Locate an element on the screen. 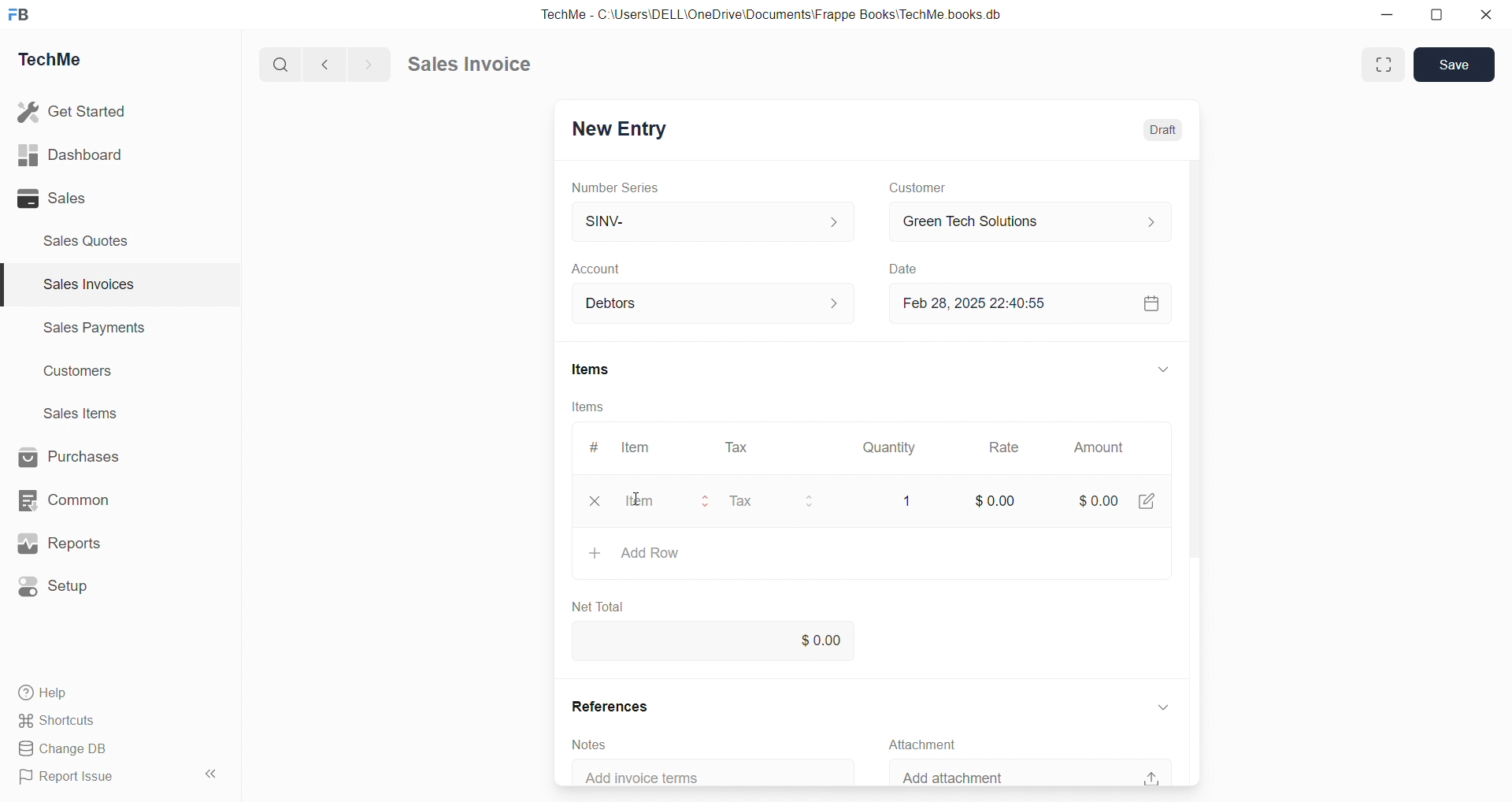  Reports is located at coordinates (59, 543).